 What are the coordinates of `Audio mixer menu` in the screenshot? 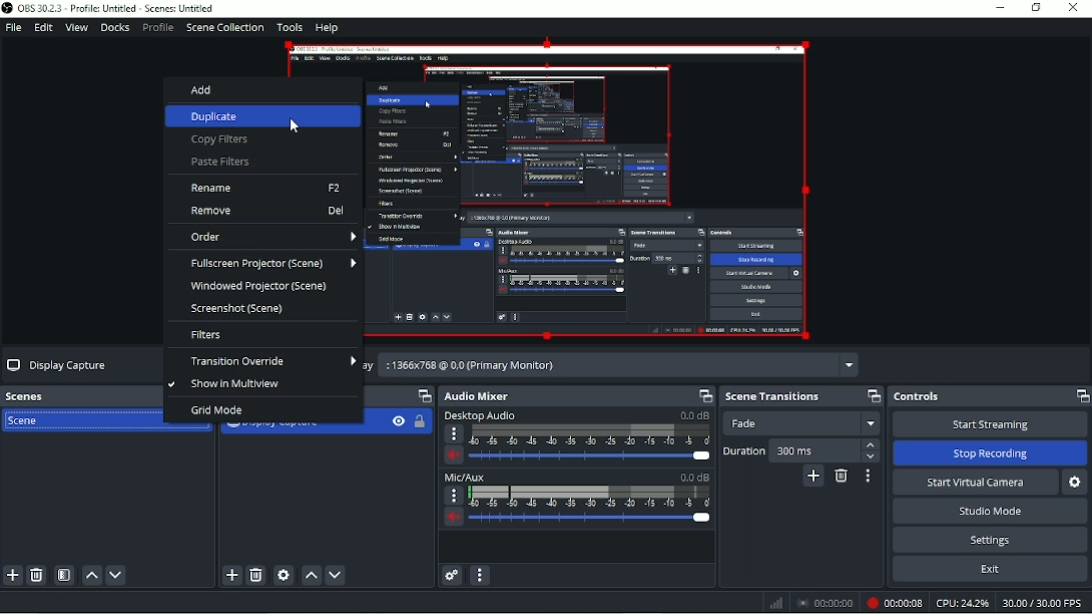 It's located at (481, 575).